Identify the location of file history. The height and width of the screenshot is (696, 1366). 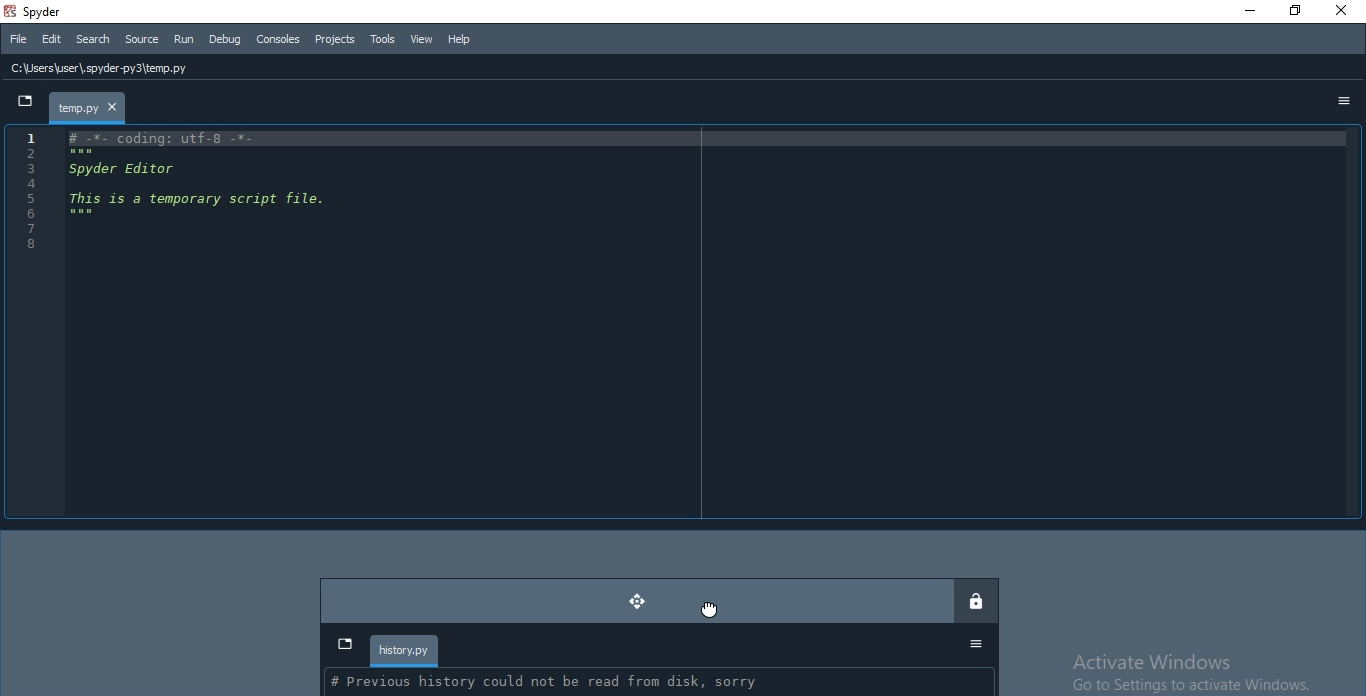
(170, 66).